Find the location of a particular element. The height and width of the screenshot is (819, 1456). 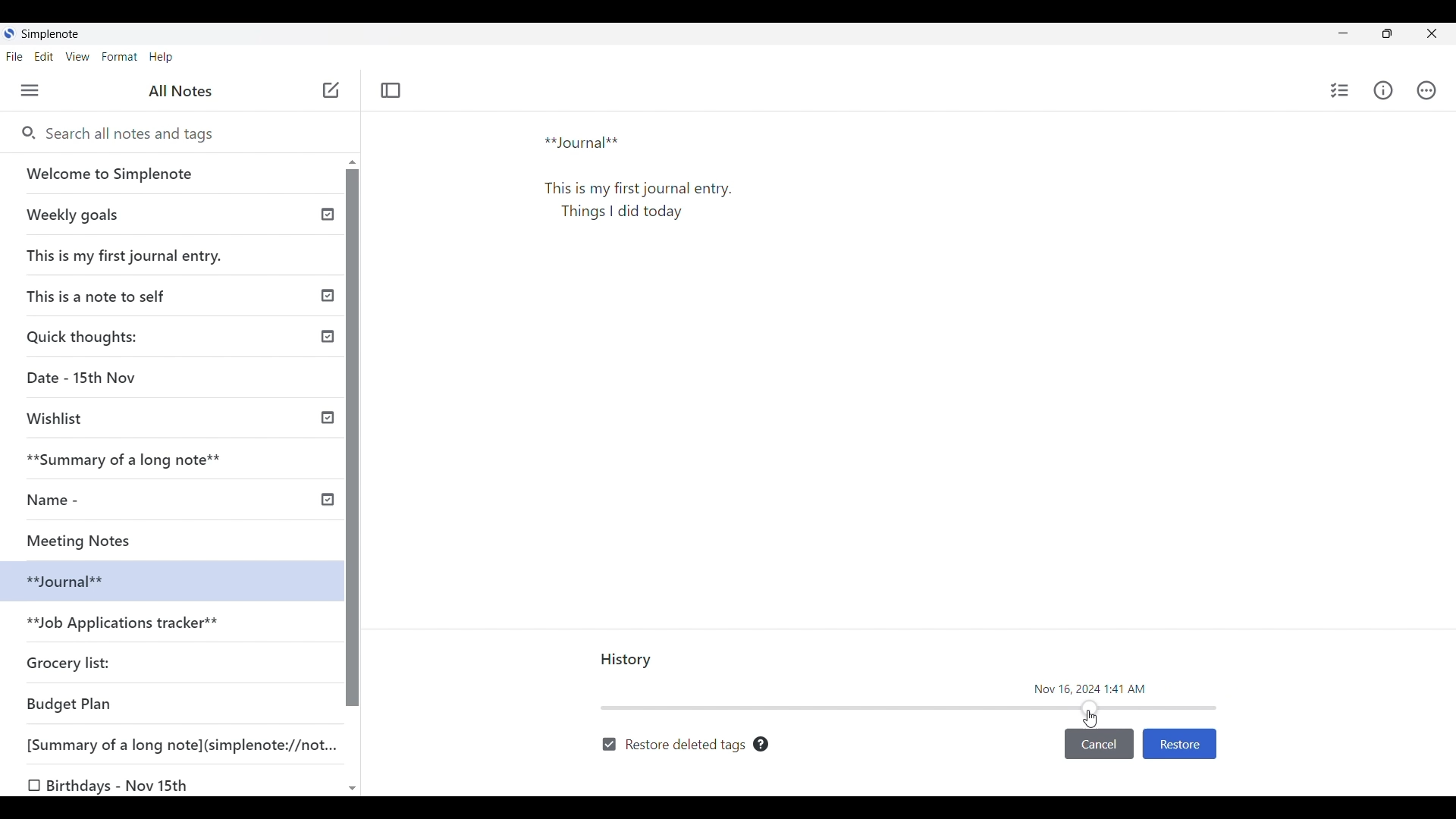

**Summary of a long note** is located at coordinates (134, 459).